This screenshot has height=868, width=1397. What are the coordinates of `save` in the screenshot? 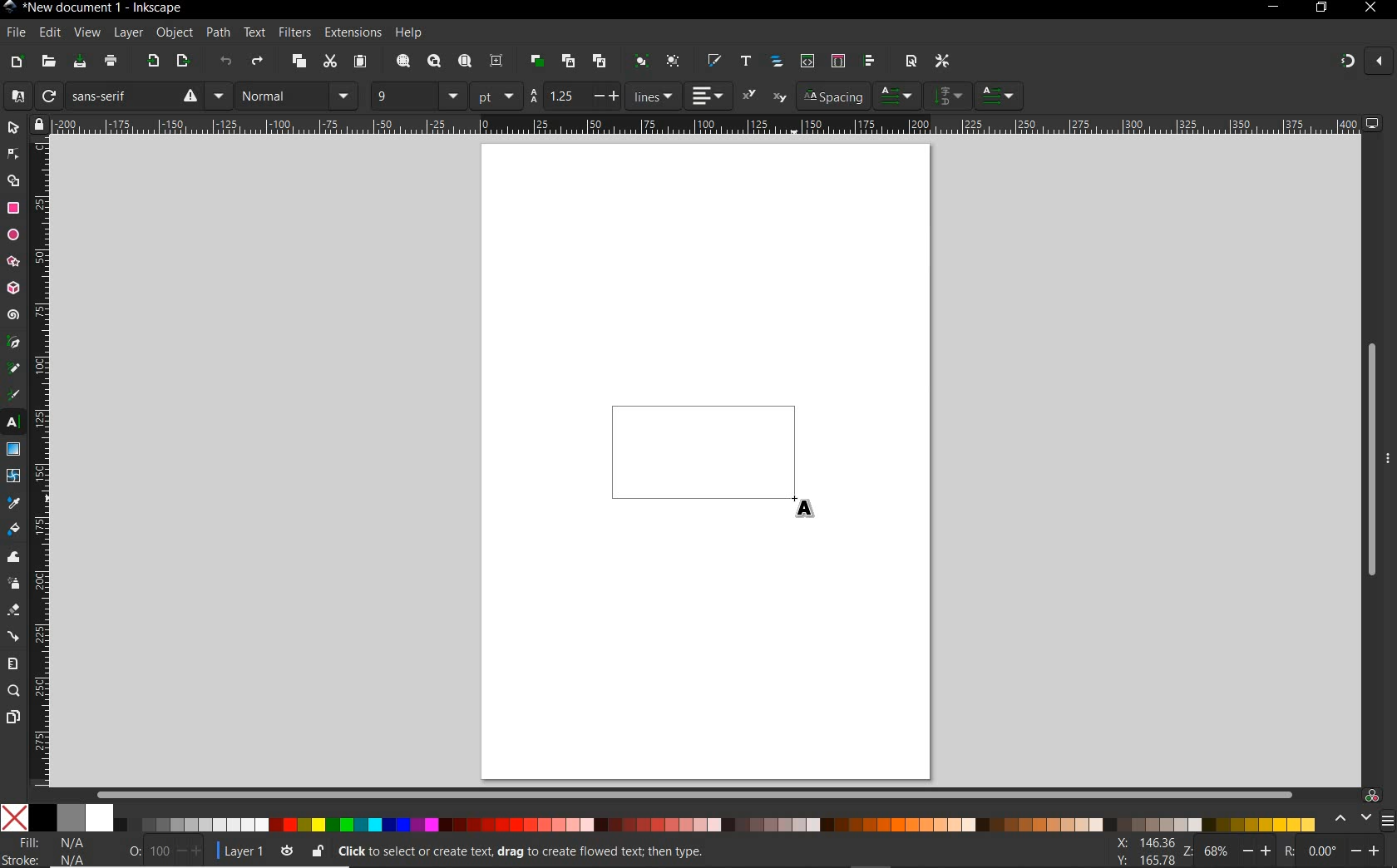 It's located at (80, 62).